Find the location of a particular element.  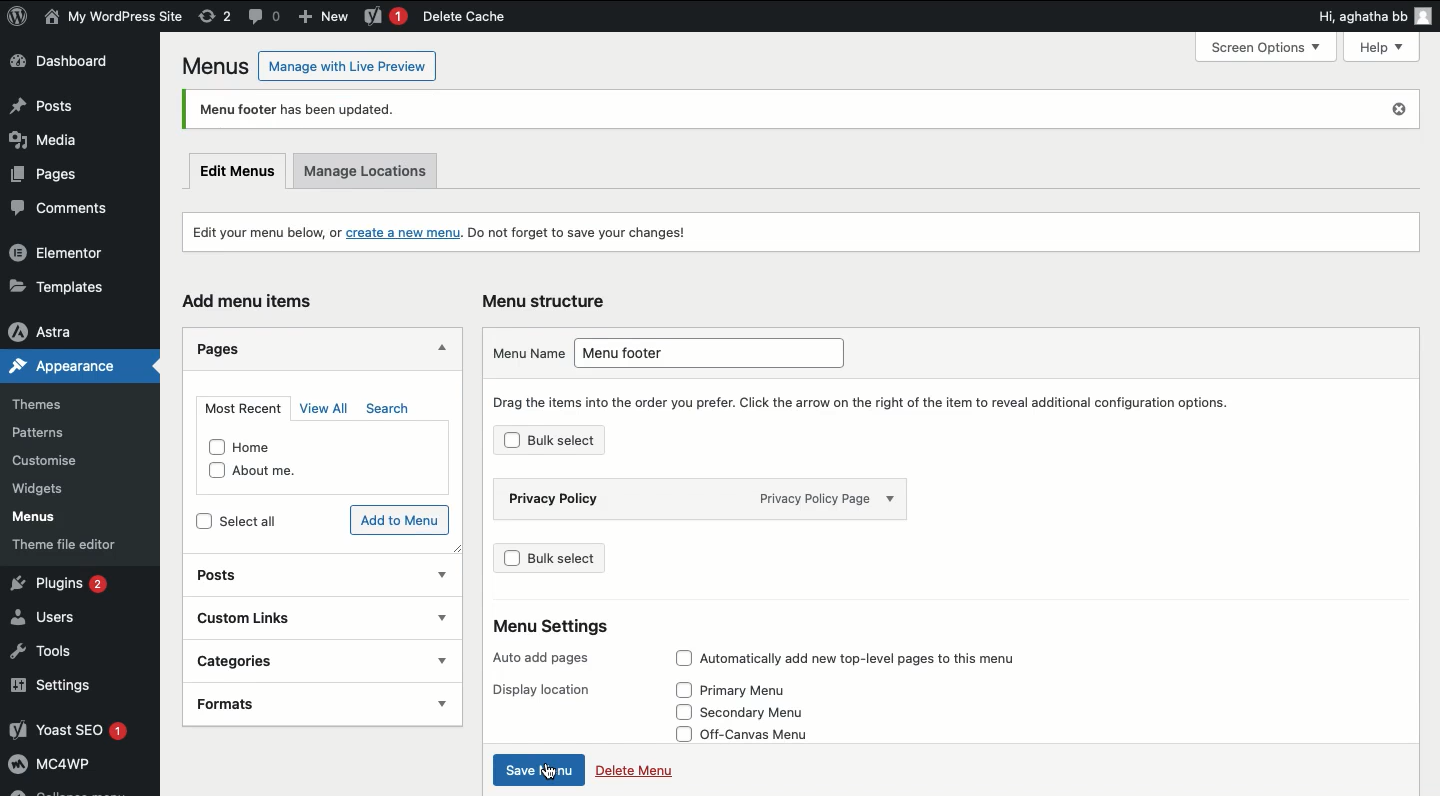

Display location is located at coordinates (545, 690).